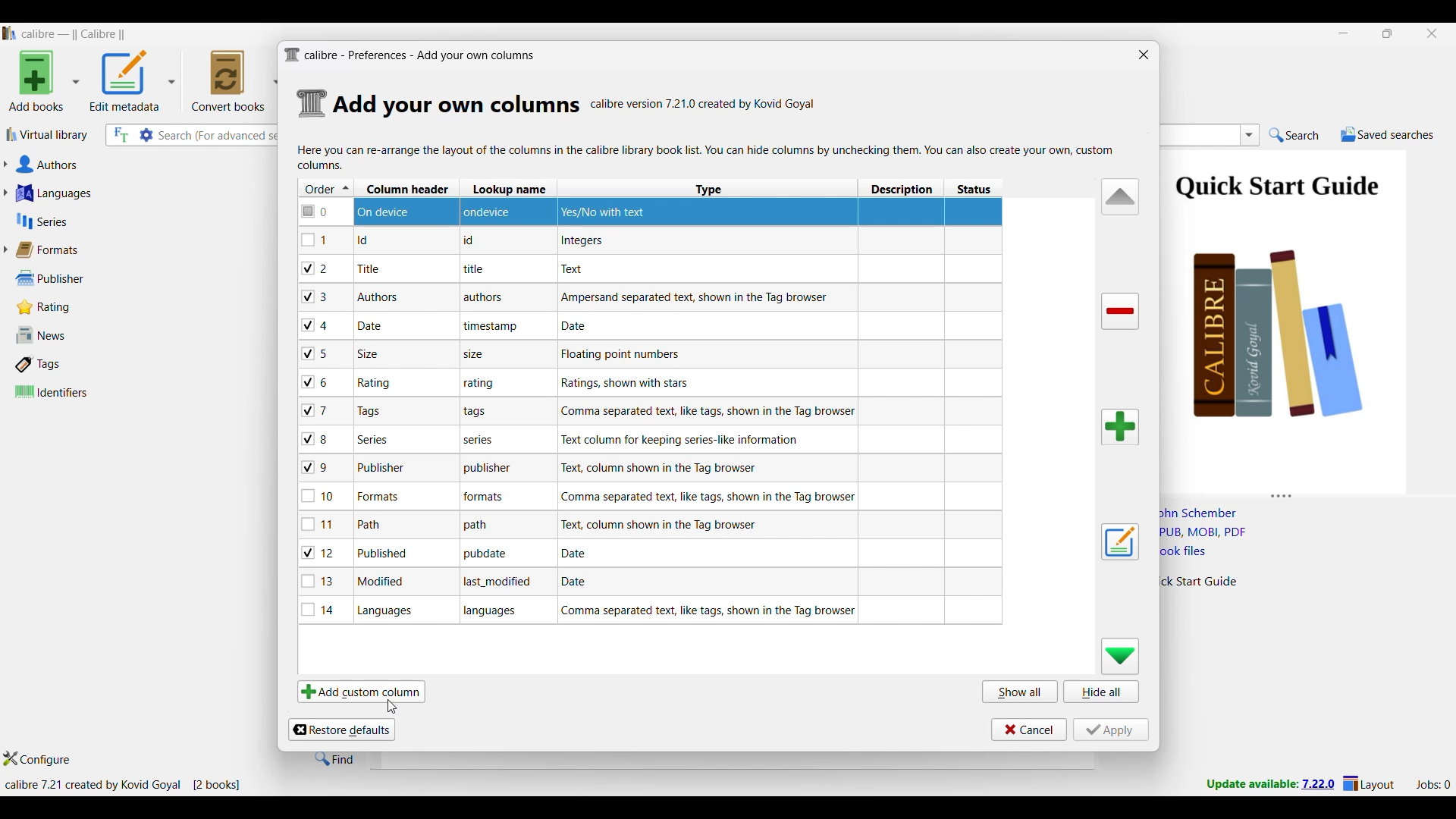 The height and width of the screenshot is (819, 1456). Describe the element at coordinates (626, 383) in the screenshot. I see `Explanation` at that location.